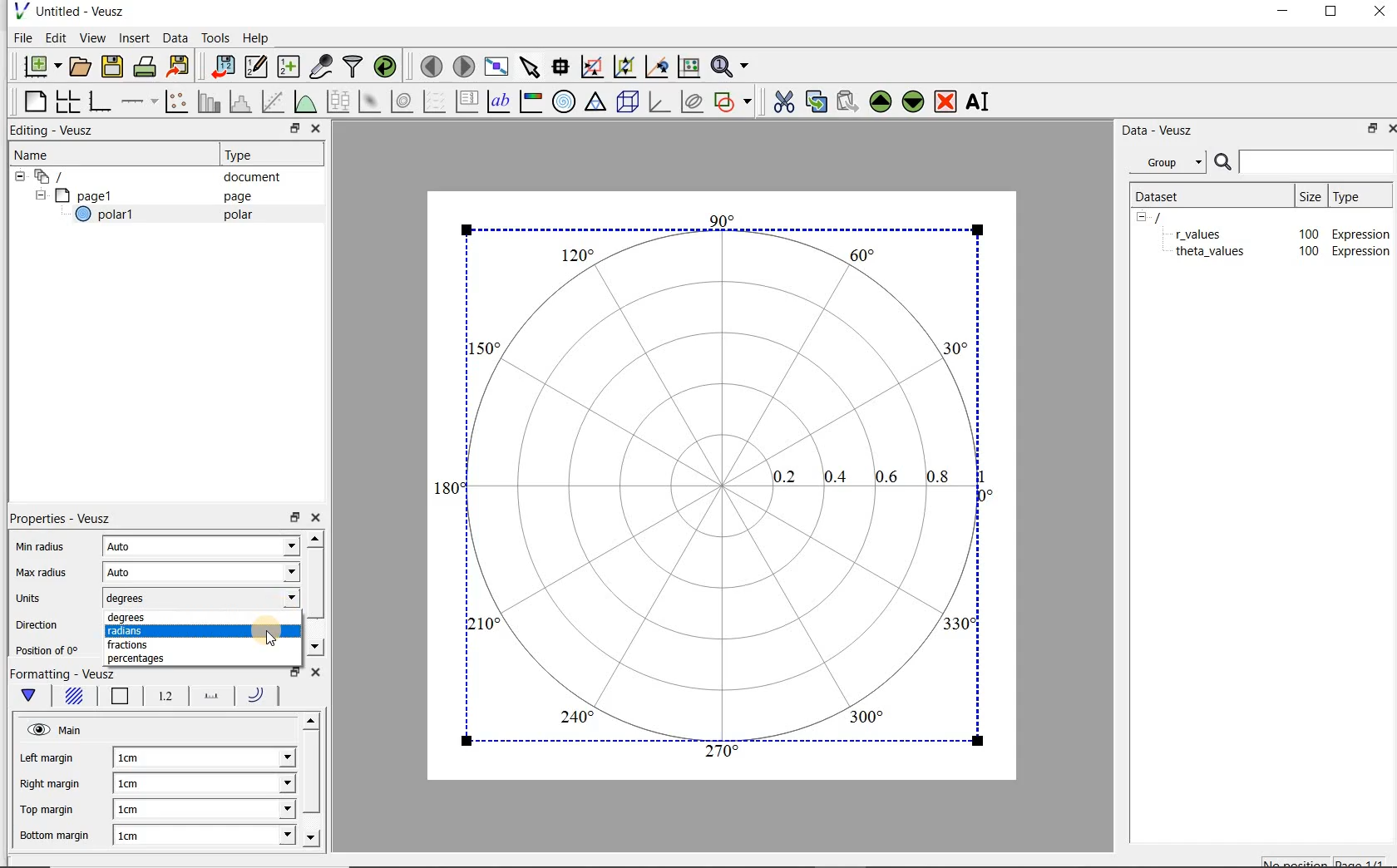 This screenshot has height=868, width=1397. Describe the element at coordinates (289, 67) in the screenshot. I see `create new datasets using ranges, parametrically or as functions of existing datasets` at that location.